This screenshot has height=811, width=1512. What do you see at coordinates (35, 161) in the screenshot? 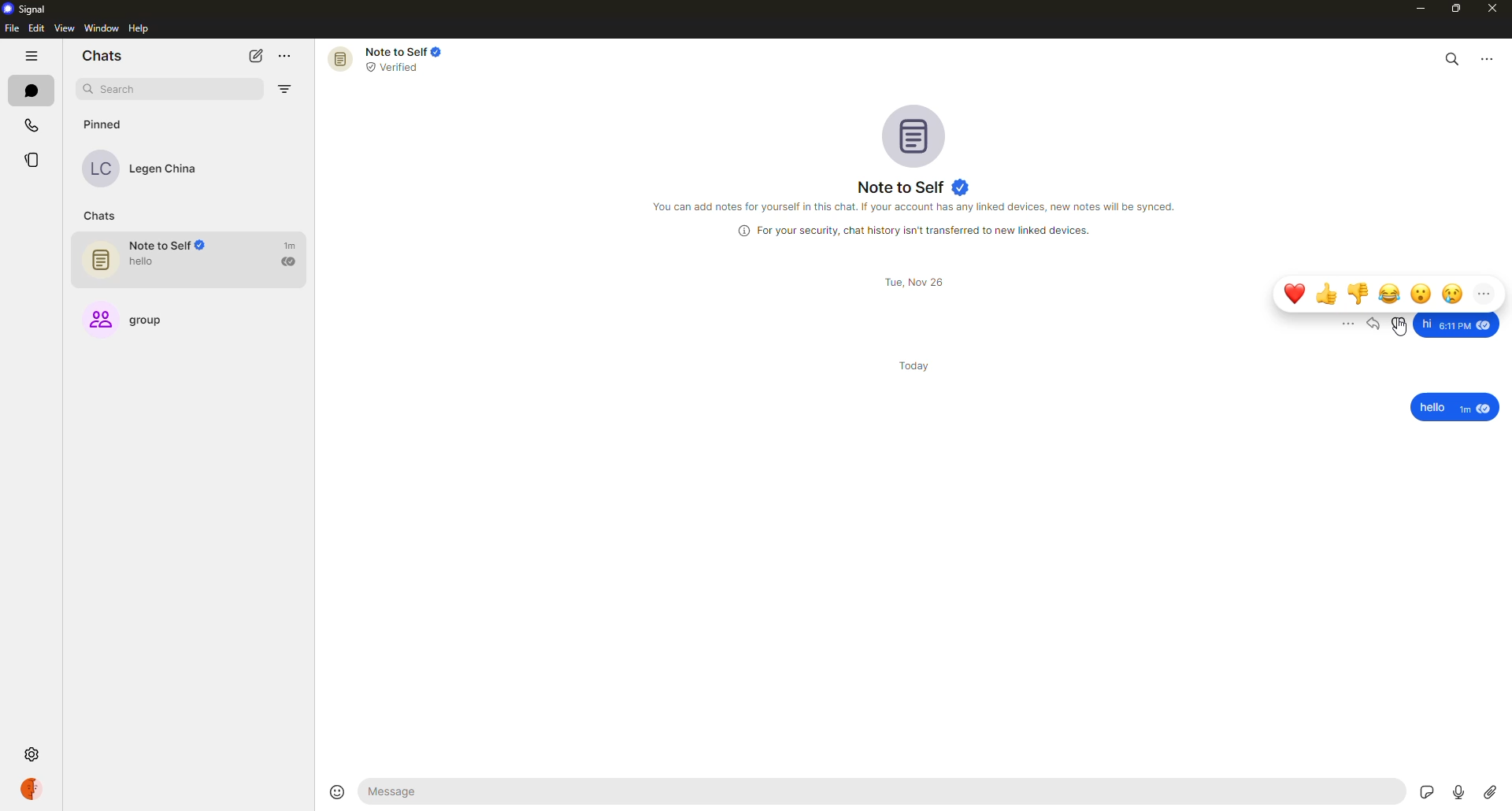
I see `stories` at bounding box center [35, 161].